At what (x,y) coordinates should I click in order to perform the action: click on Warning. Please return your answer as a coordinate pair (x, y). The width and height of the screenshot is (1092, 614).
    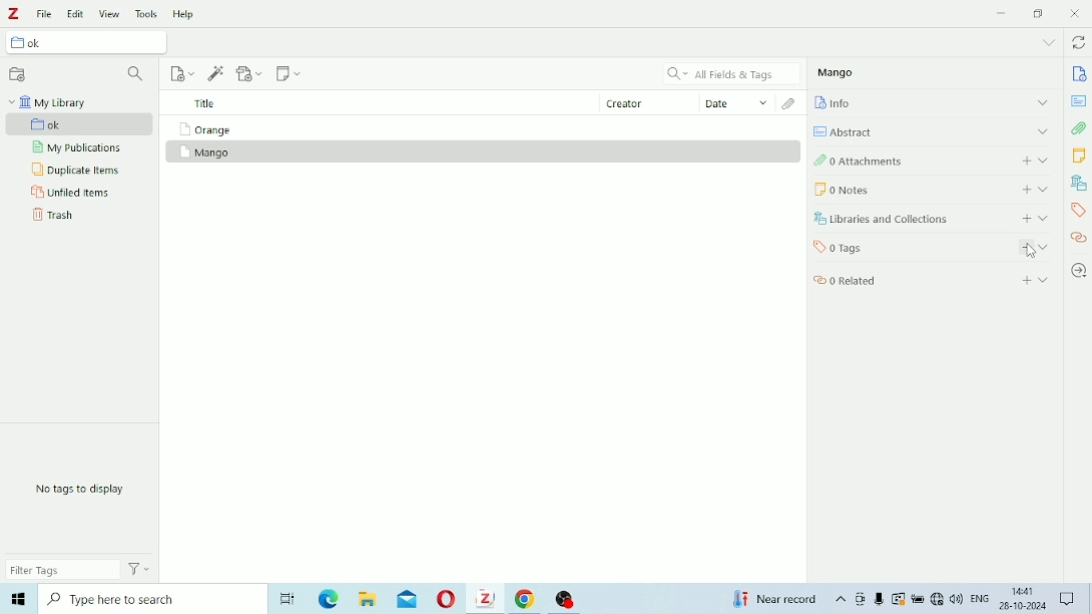
    Looking at the image, I should click on (898, 599).